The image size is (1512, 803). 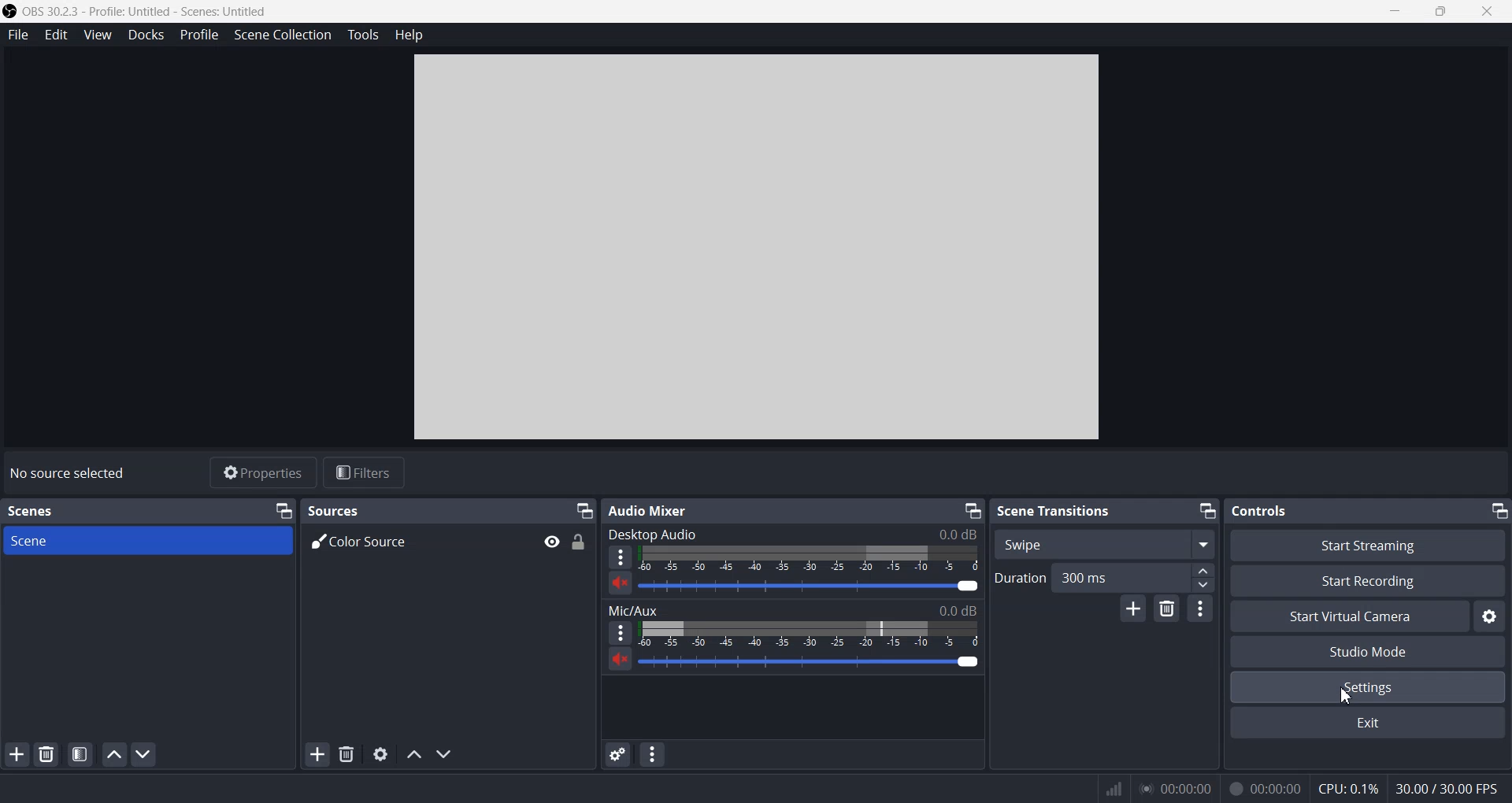 I want to click on More, so click(x=621, y=557).